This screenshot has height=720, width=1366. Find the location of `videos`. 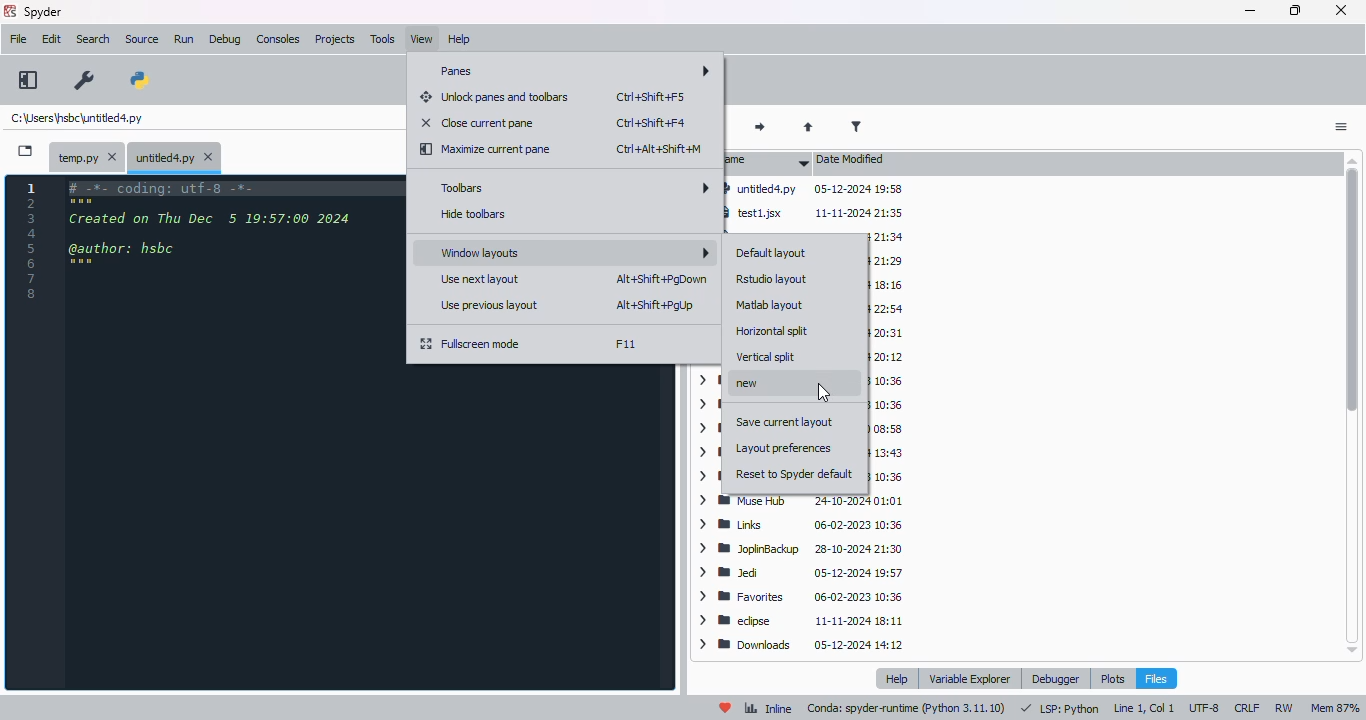

videos is located at coordinates (885, 309).